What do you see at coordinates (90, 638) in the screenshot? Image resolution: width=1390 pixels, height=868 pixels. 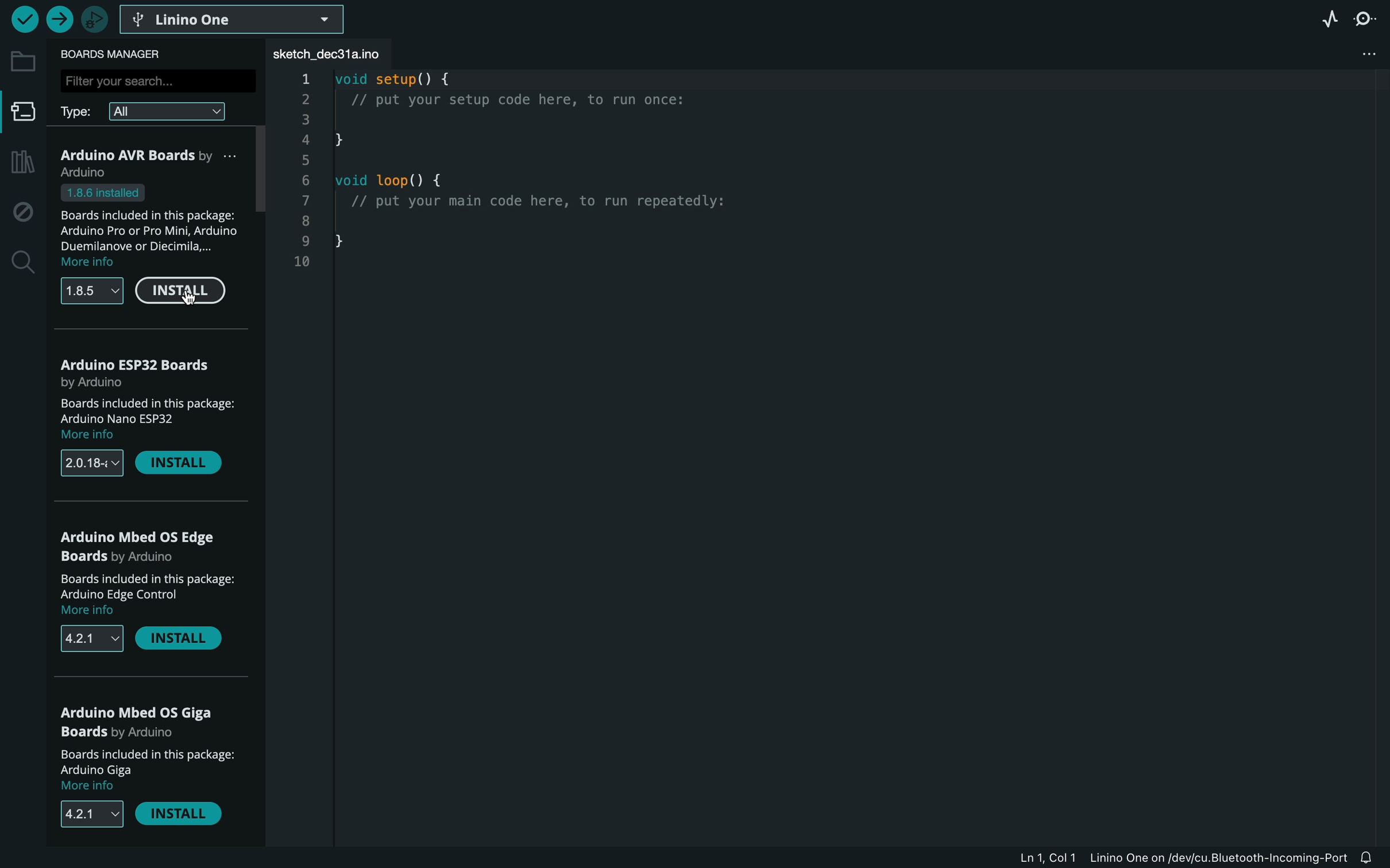 I see `versions` at bounding box center [90, 638].